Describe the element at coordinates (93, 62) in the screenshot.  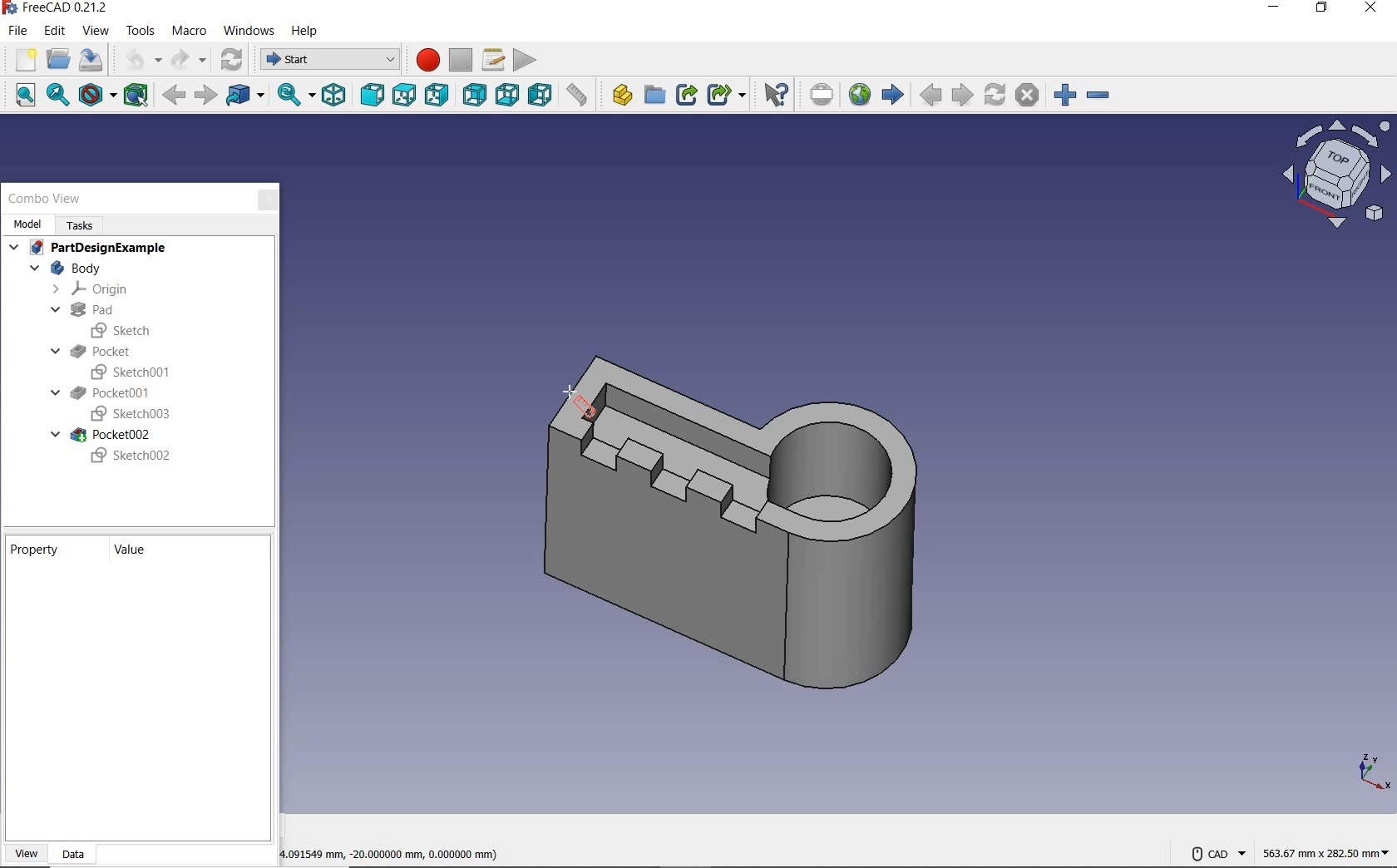
I see `save` at that location.